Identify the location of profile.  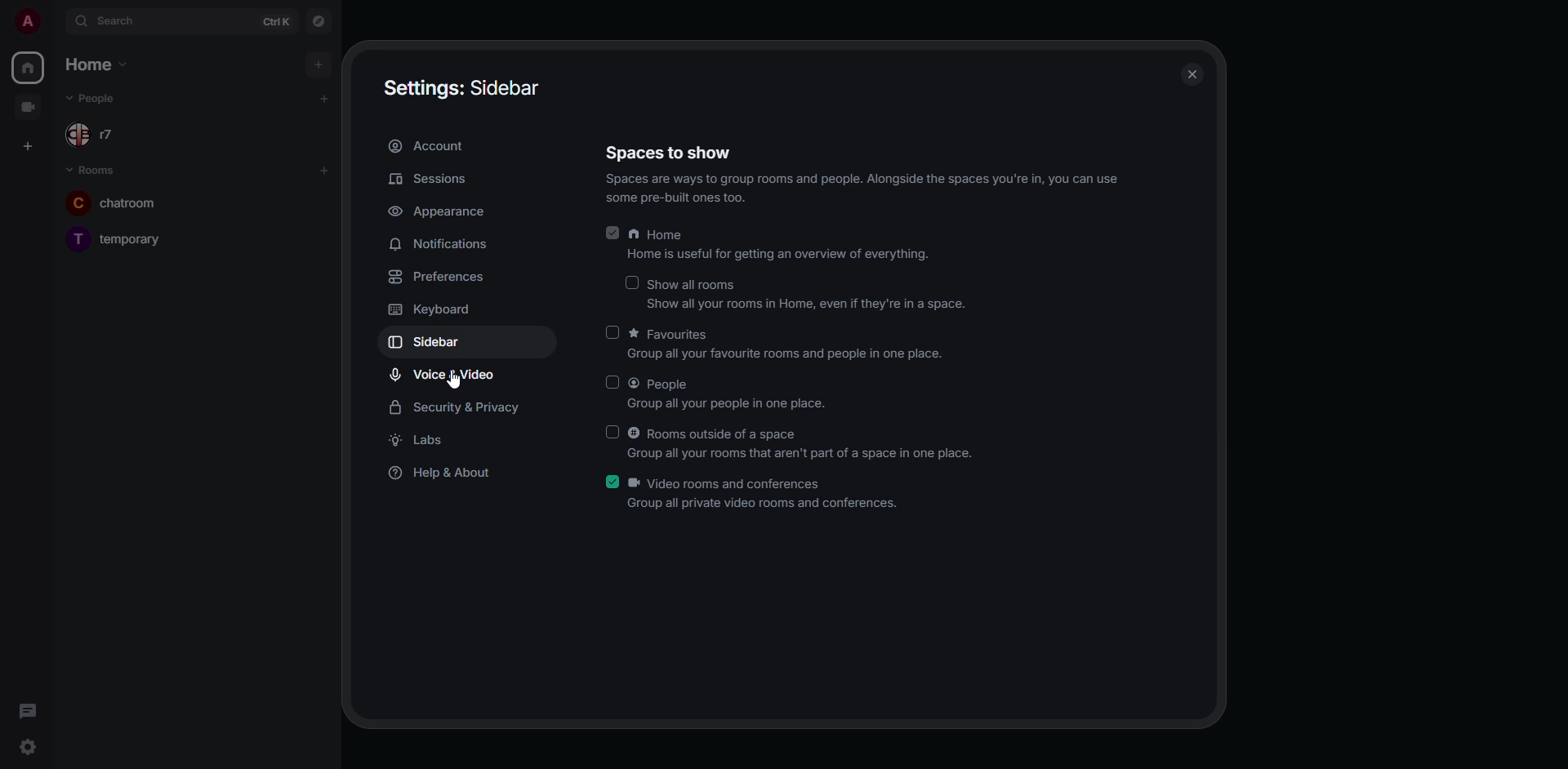
(30, 21).